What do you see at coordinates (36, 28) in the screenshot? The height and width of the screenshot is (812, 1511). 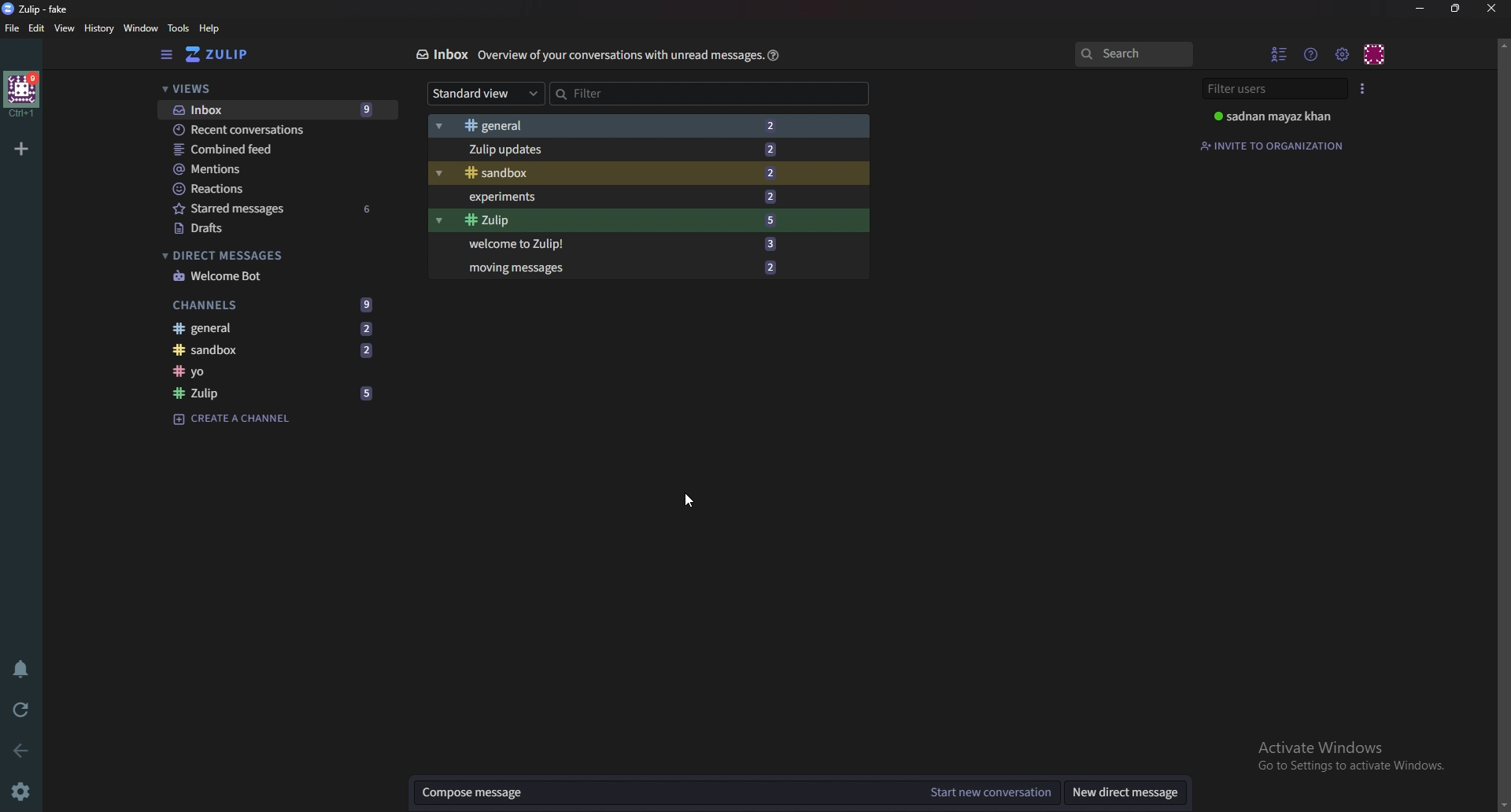 I see `Edit` at bounding box center [36, 28].